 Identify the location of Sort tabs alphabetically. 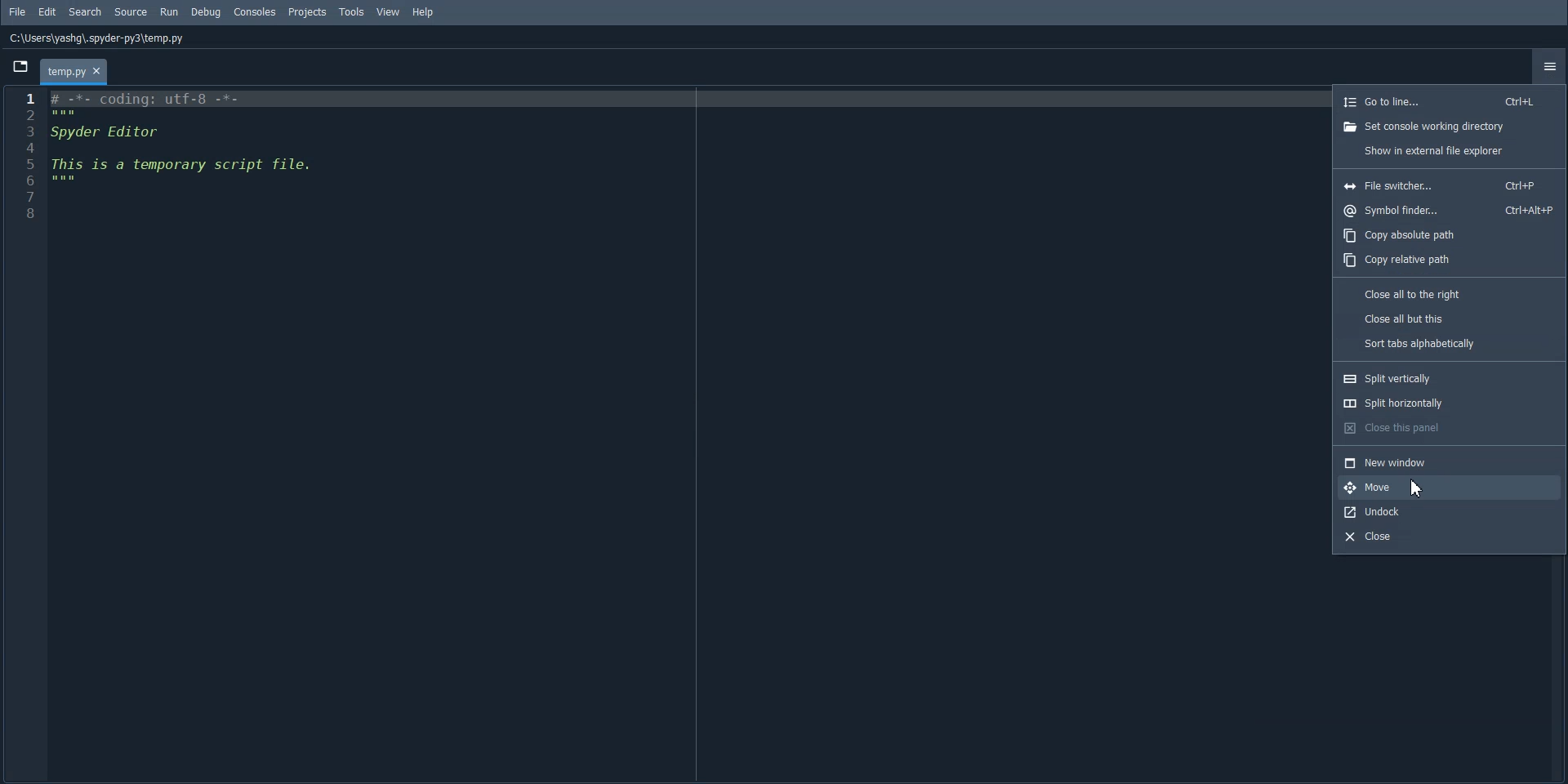
(1450, 343).